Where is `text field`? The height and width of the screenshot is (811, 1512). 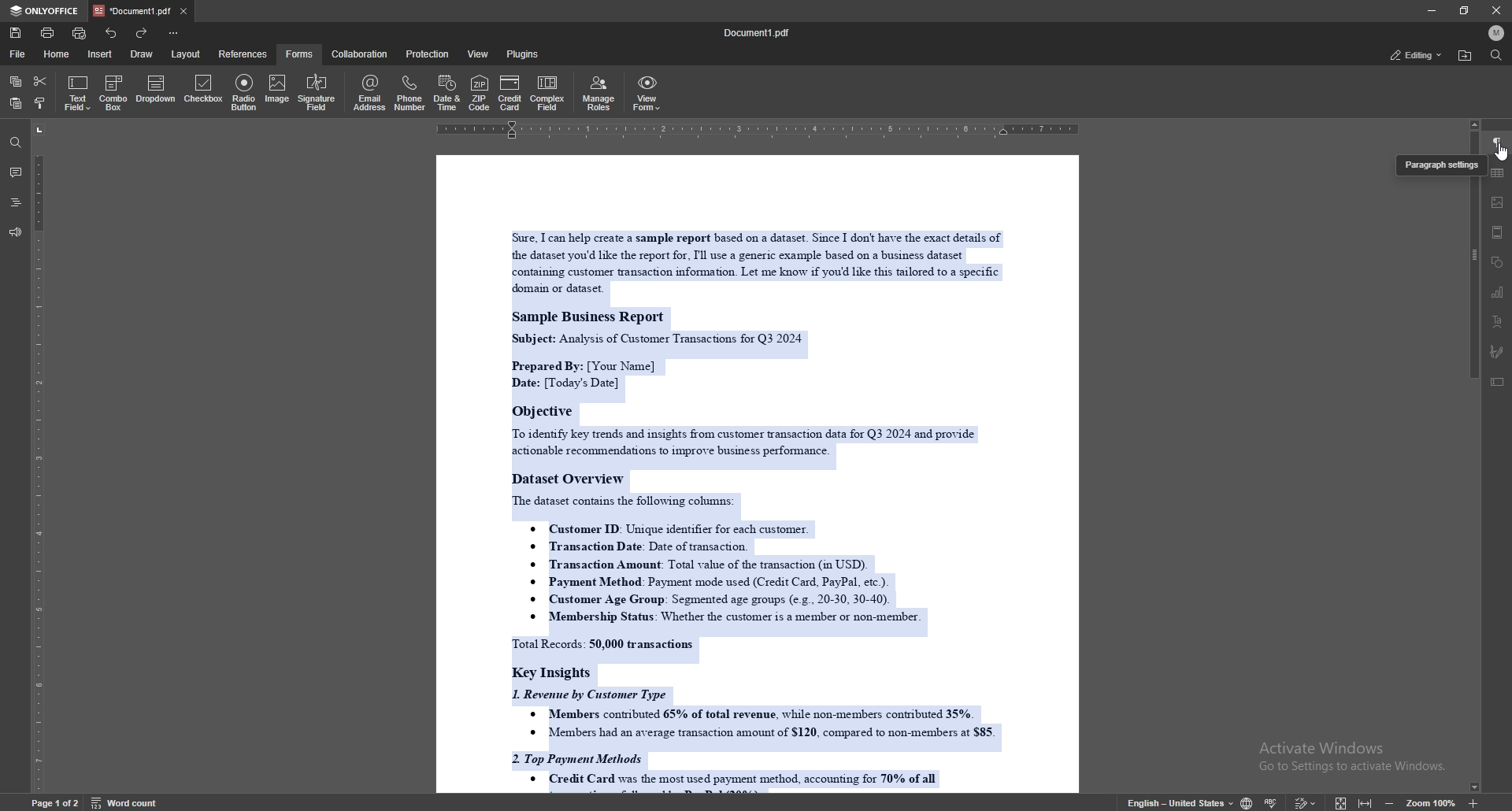 text field is located at coordinates (78, 93).